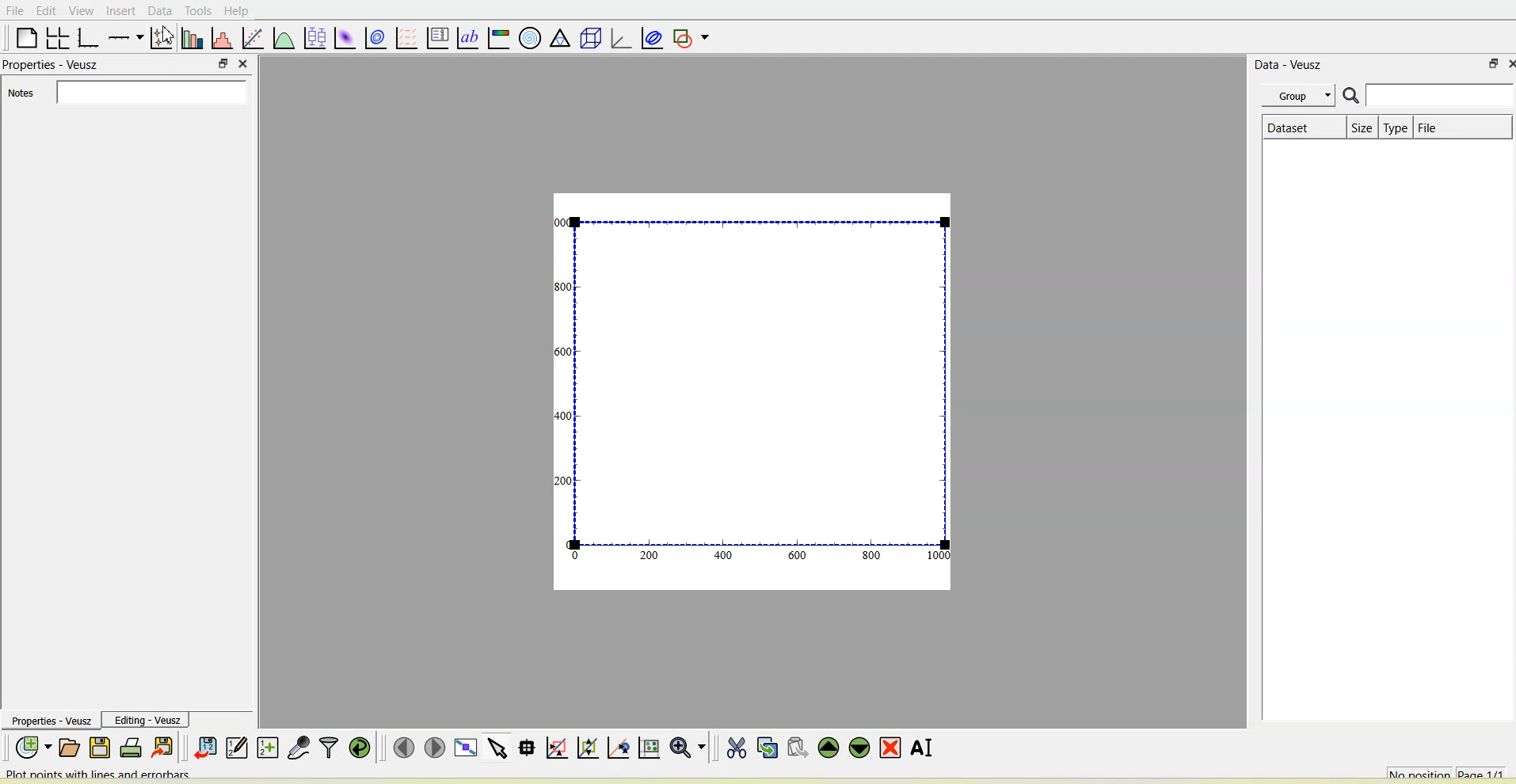 This screenshot has width=1516, height=784. I want to click on Page 1/1, so click(1487, 772).